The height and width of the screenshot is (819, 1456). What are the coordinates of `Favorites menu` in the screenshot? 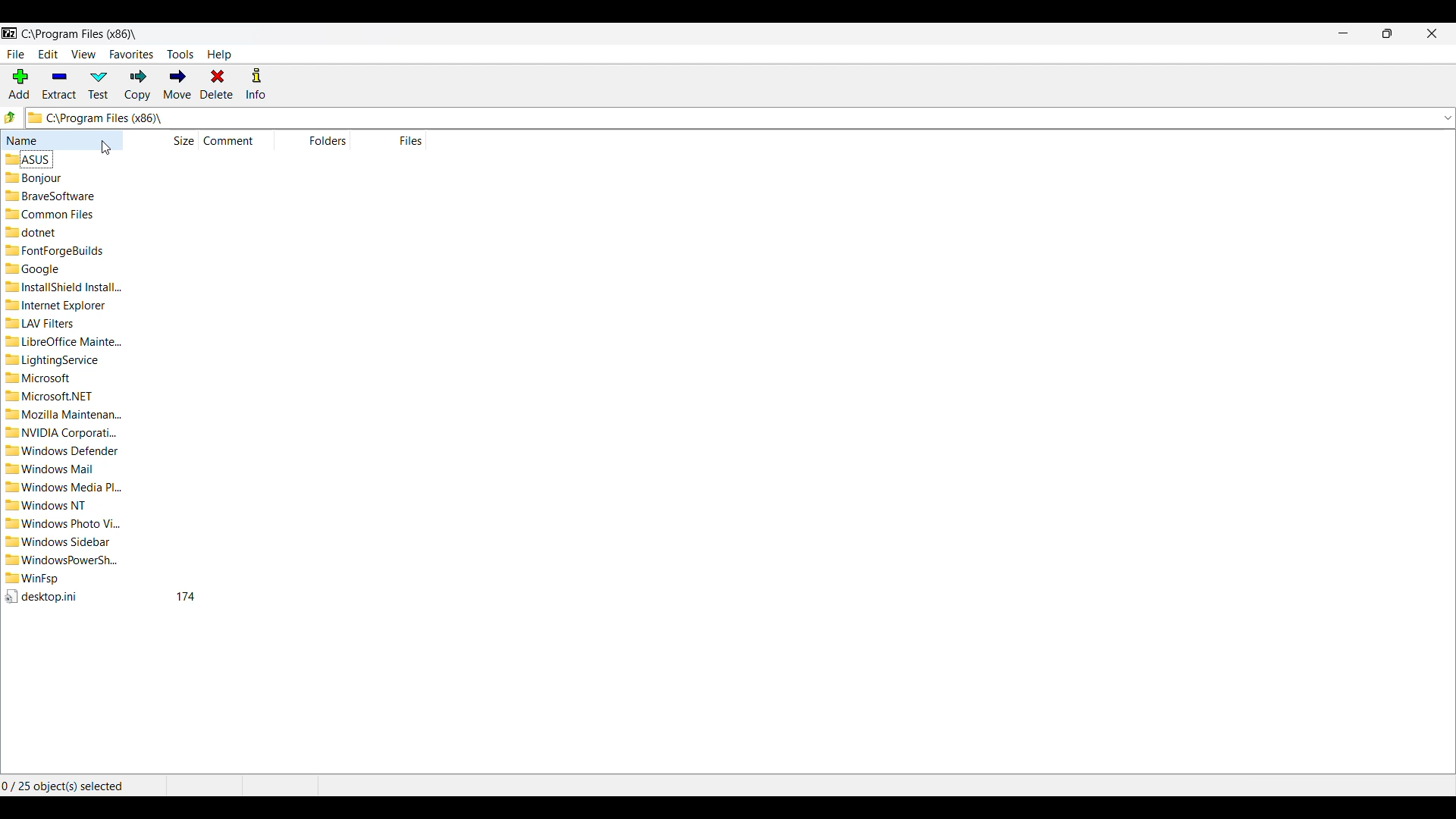 It's located at (132, 55).